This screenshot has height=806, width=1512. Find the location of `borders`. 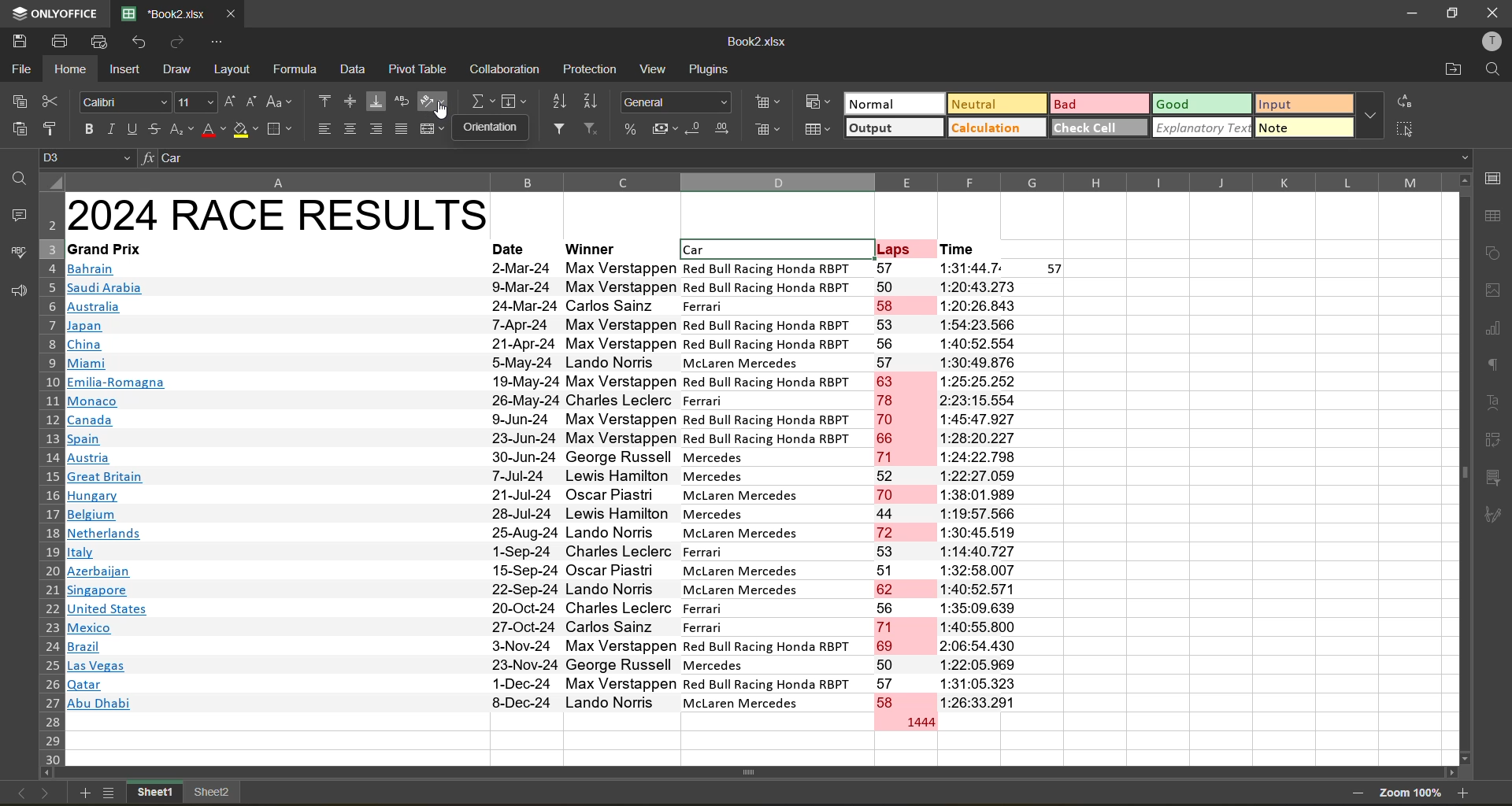

borders is located at coordinates (279, 129).